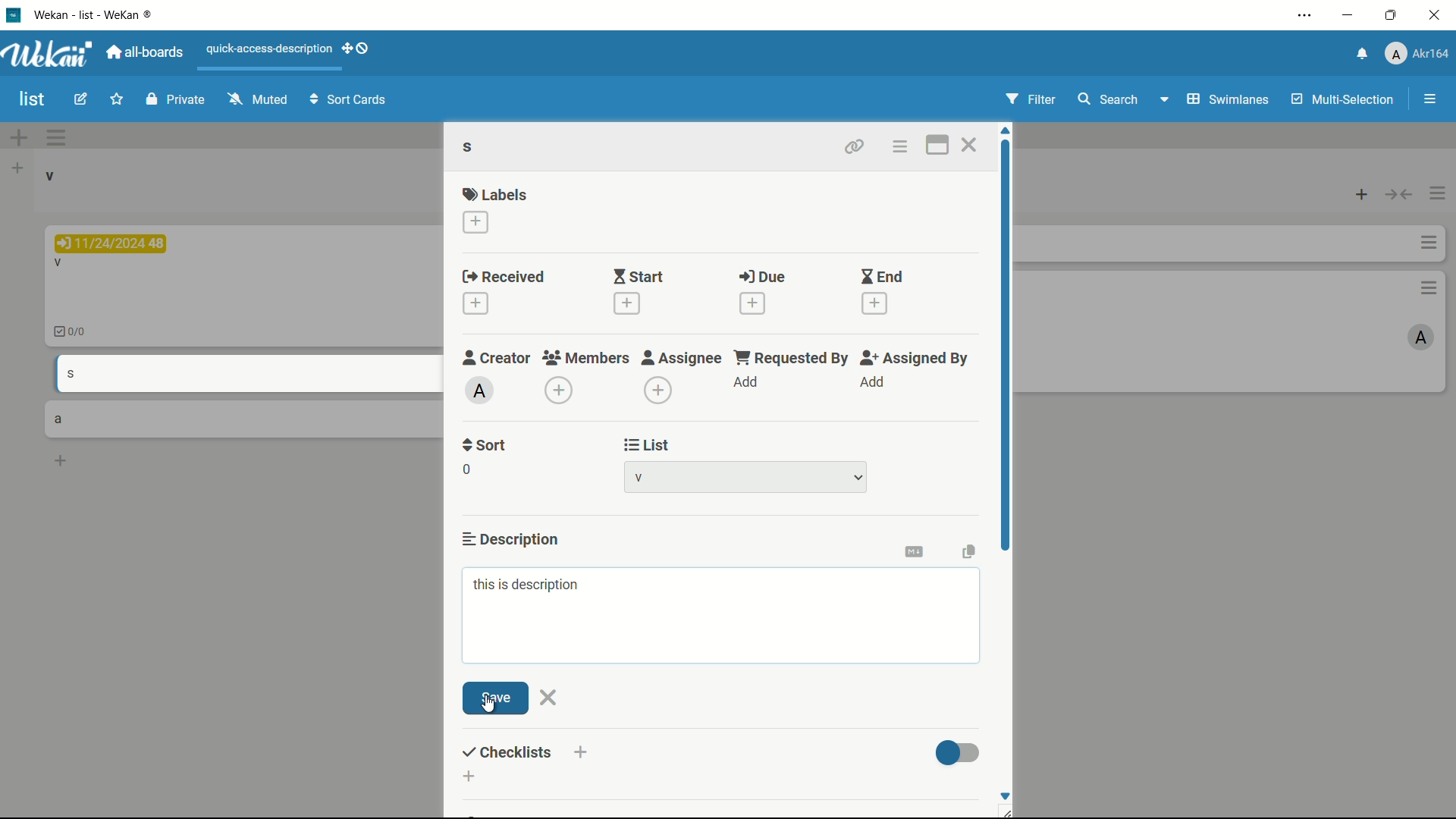 The height and width of the screenshot is (819, 1456). What do you see at coordinates (918, 359) in the screenshot?
I see `assigned by` at bounding box center [918, 359].